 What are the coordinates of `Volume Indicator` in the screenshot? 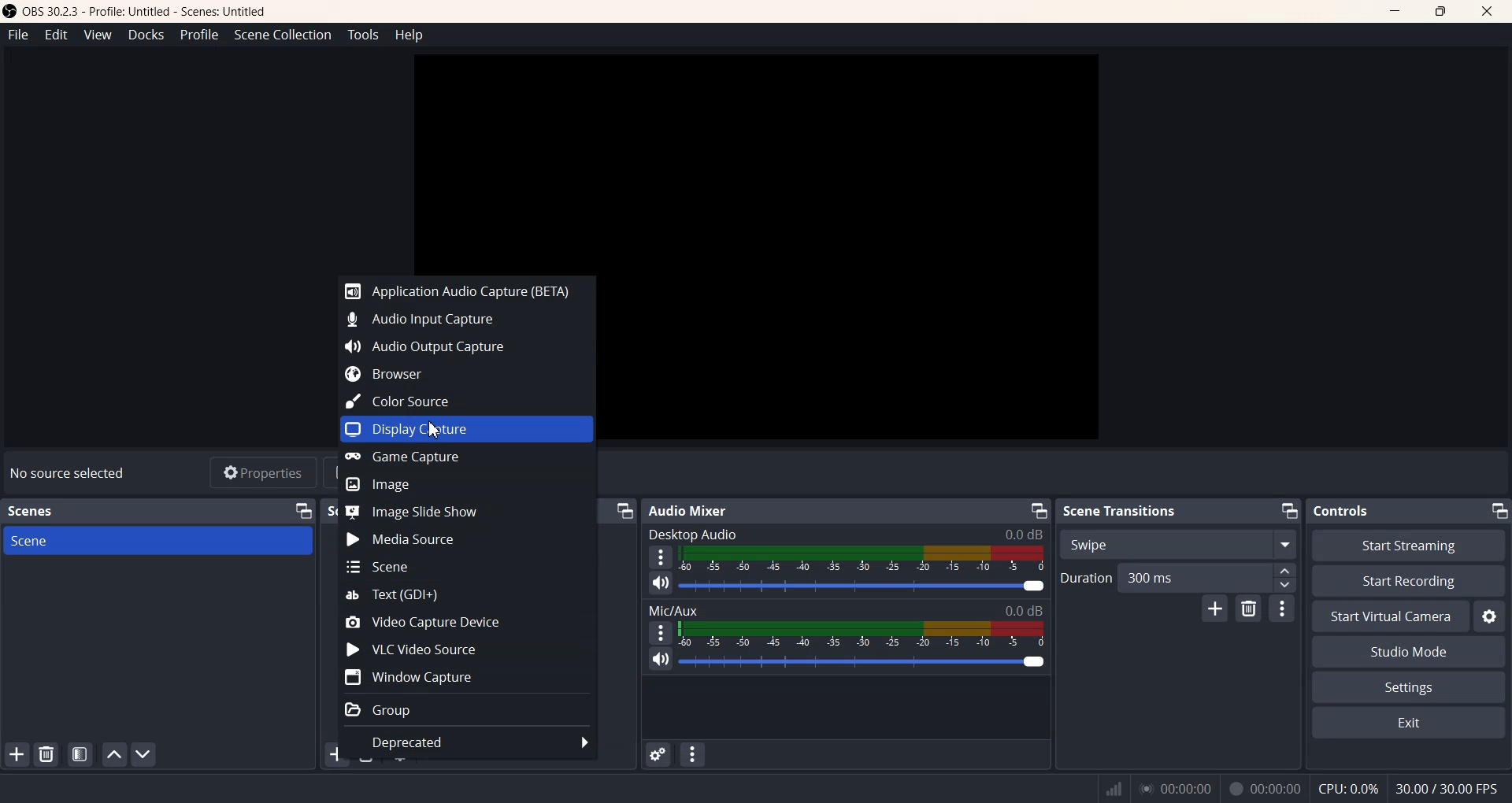 It's located at (863, 558).